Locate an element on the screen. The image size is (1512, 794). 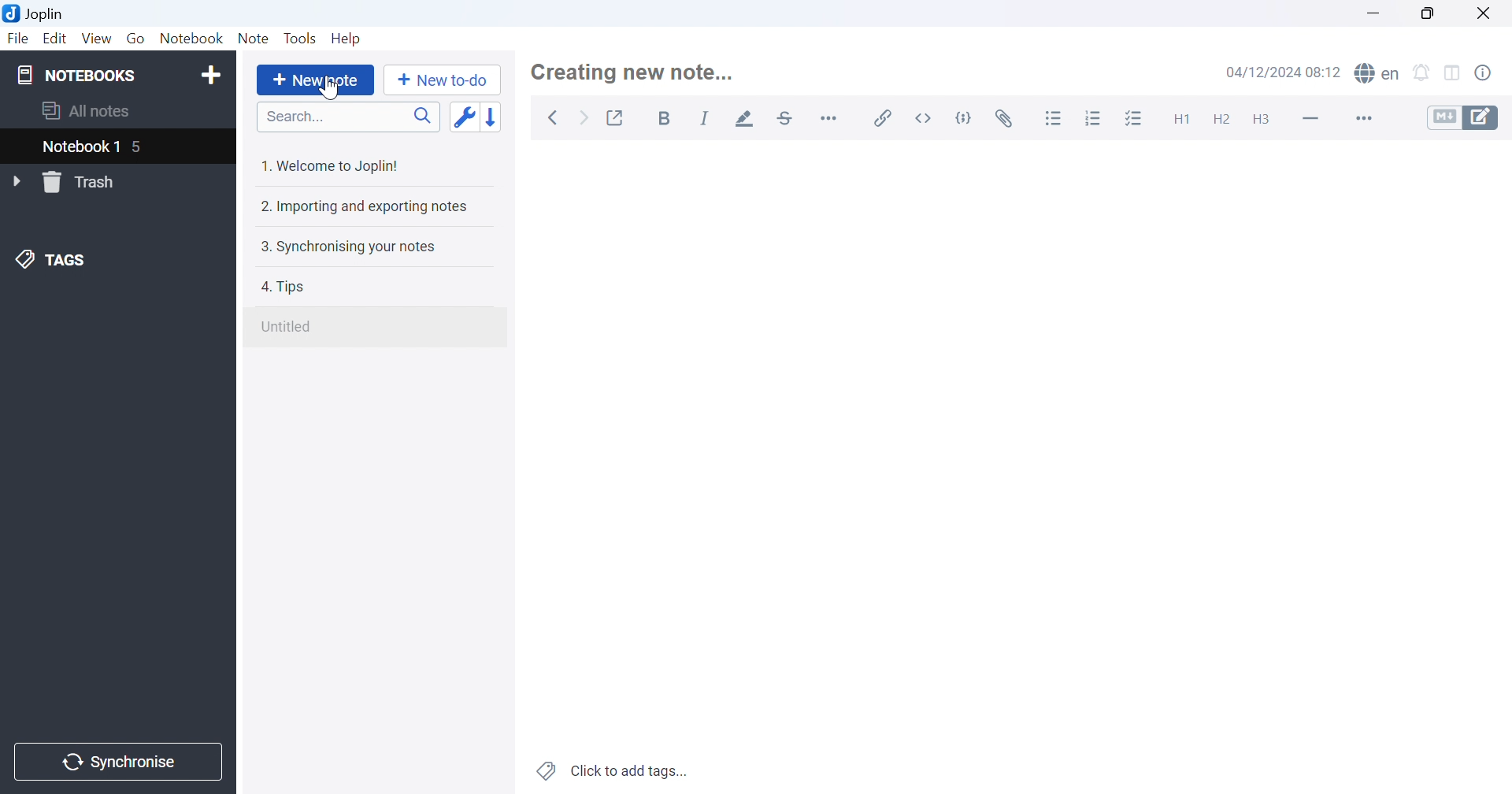
4 is located at coordinates (139, 147).